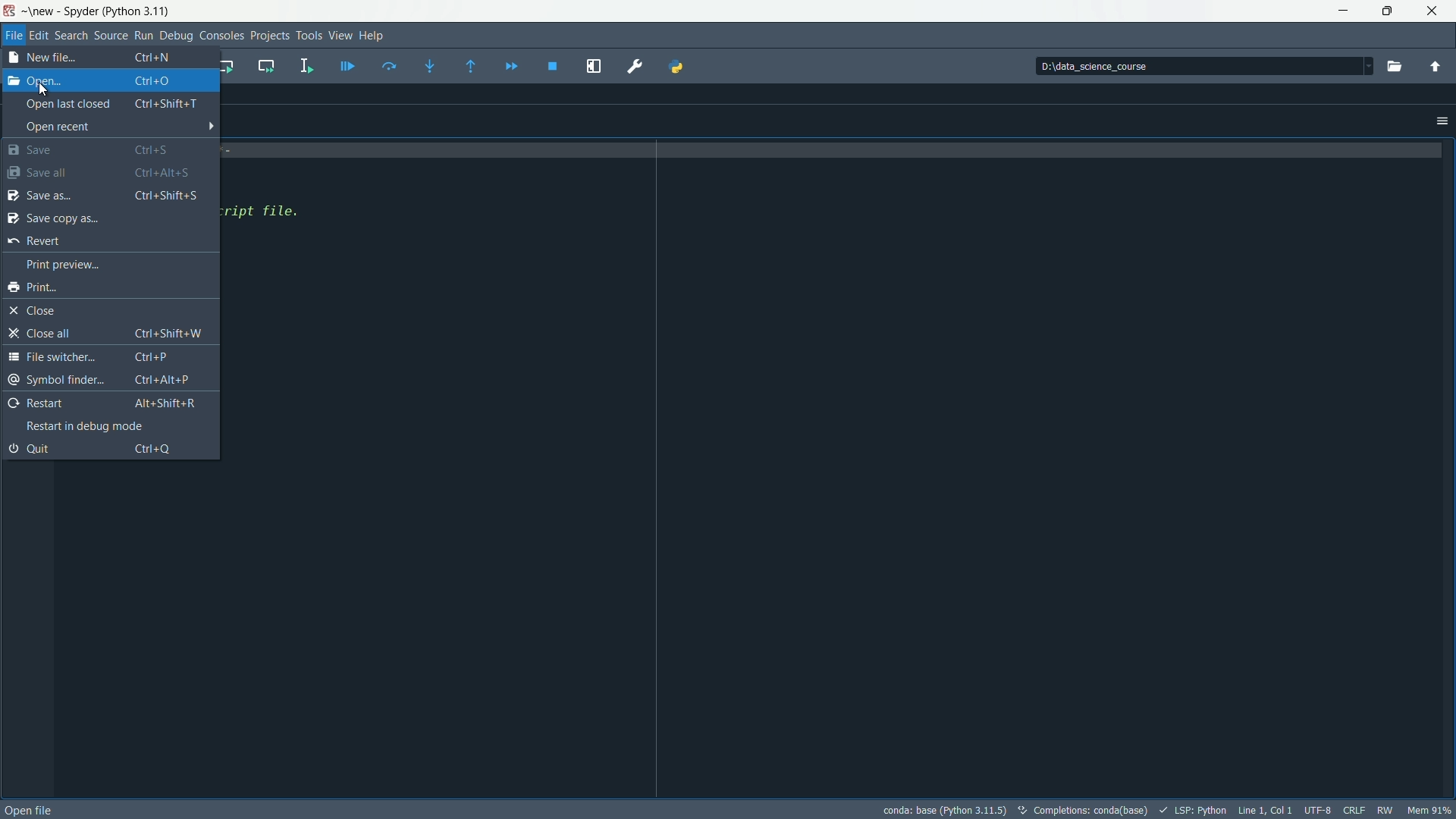 Image resolution: width=1456 pixels, height=819 pixels. I want to click on execute until method or funtion return, so click(471, 65).